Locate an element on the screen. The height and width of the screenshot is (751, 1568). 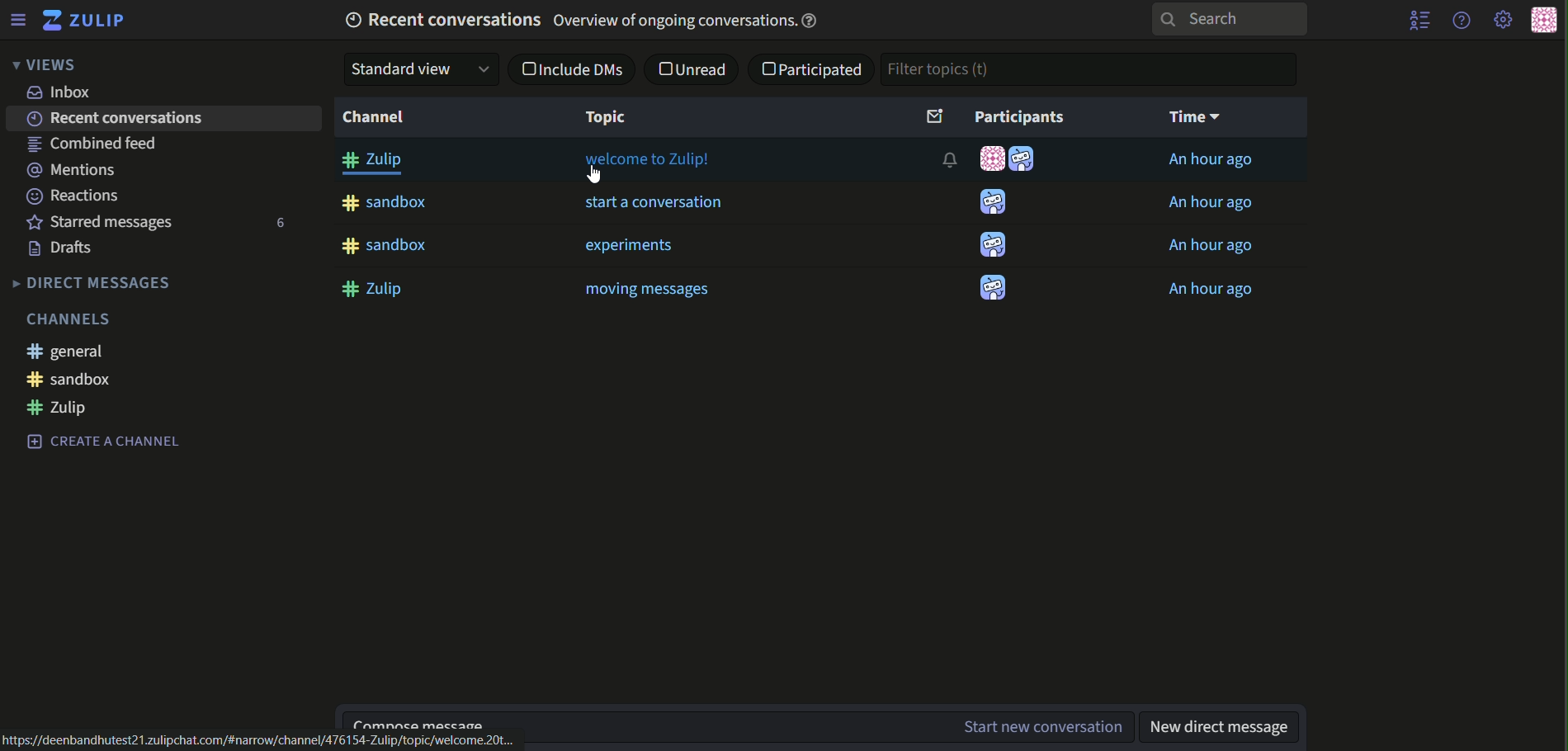
icon is located at coordinates (992, 159).